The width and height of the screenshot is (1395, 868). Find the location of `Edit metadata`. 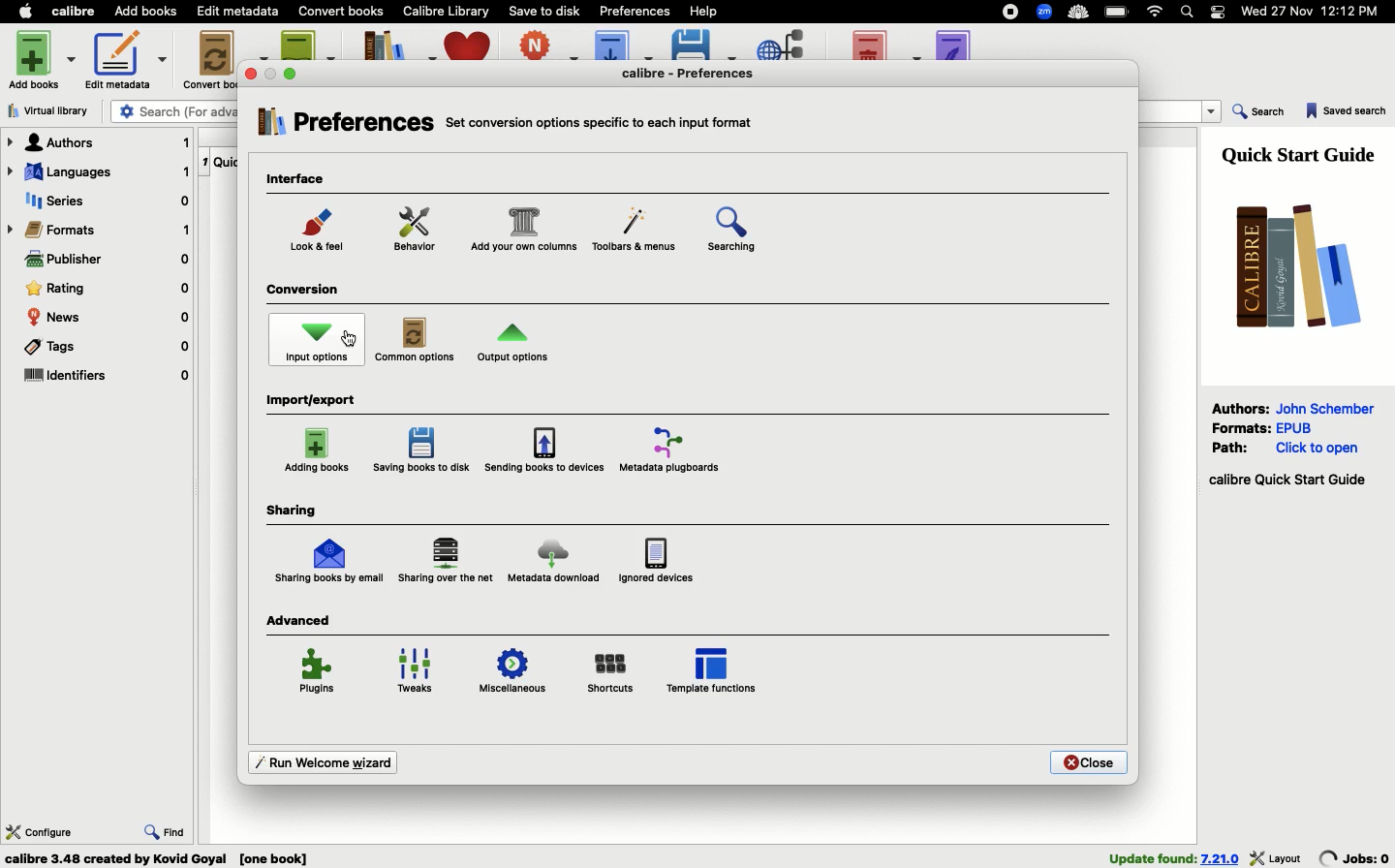

Edit metadata is located at coordinates (239, 12).